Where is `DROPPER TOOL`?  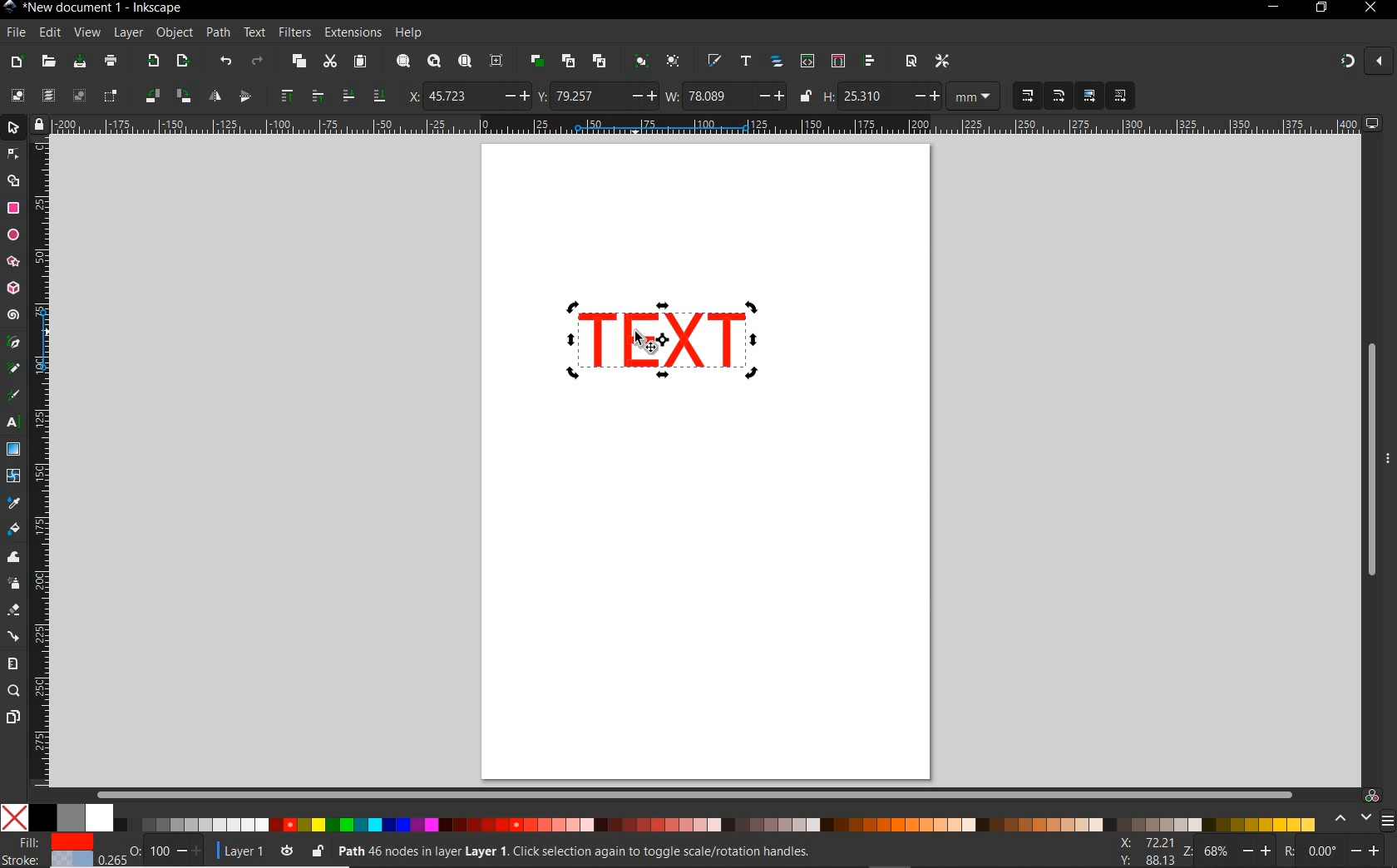
DROPPER TOOL is located at coordinates (13, 504).